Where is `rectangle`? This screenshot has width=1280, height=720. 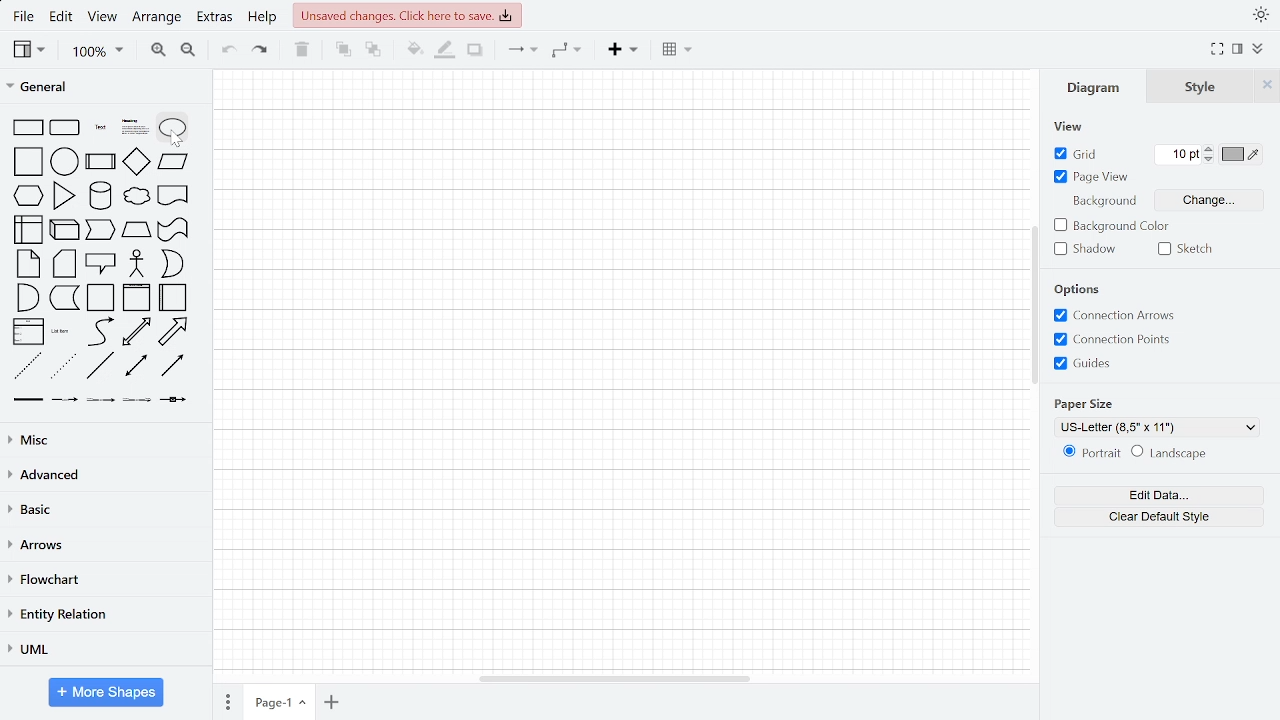
rectangle is located at coordinates (28, 128).